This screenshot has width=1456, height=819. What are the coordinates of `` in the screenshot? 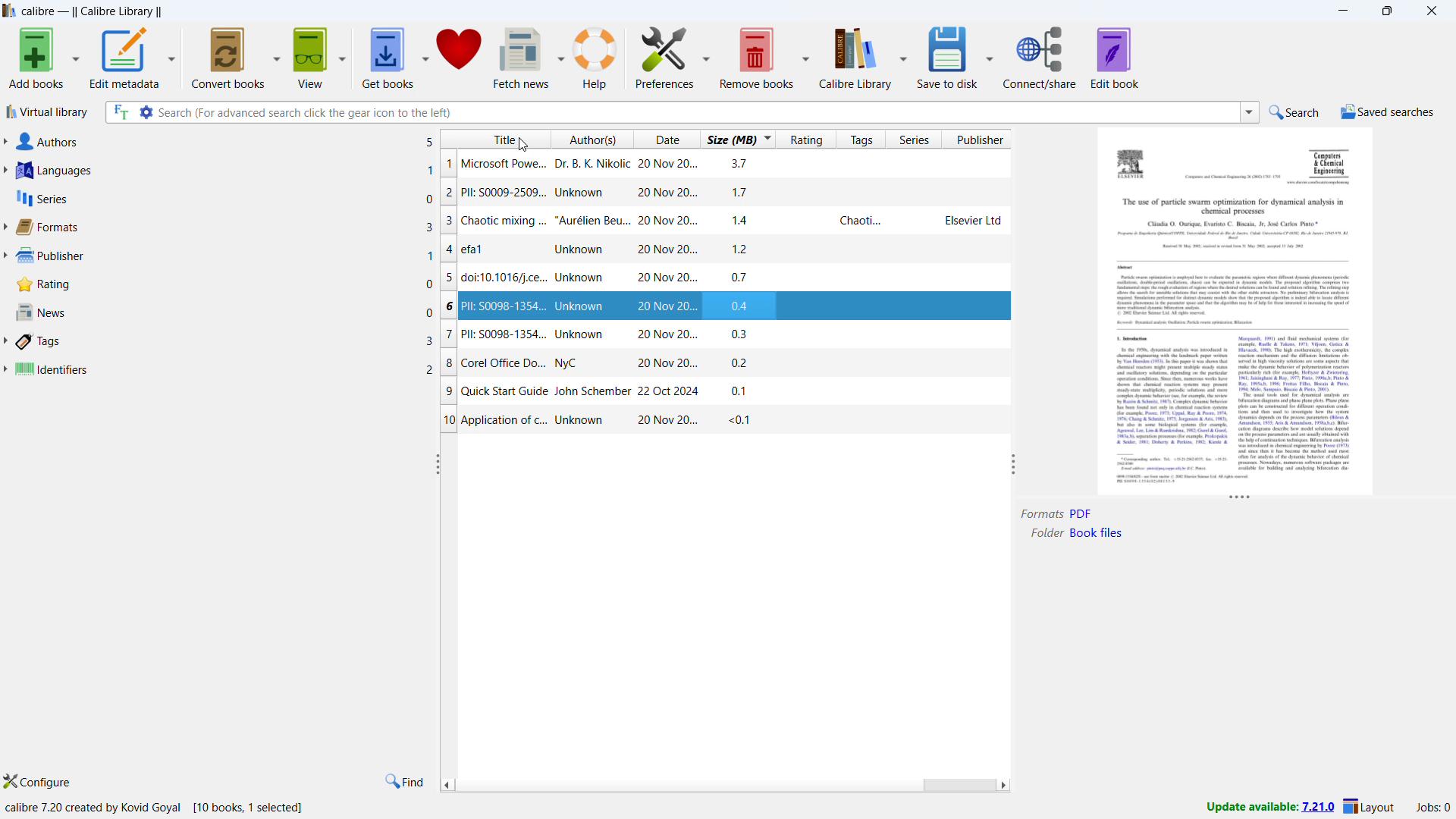 It's located at (1144, 338).